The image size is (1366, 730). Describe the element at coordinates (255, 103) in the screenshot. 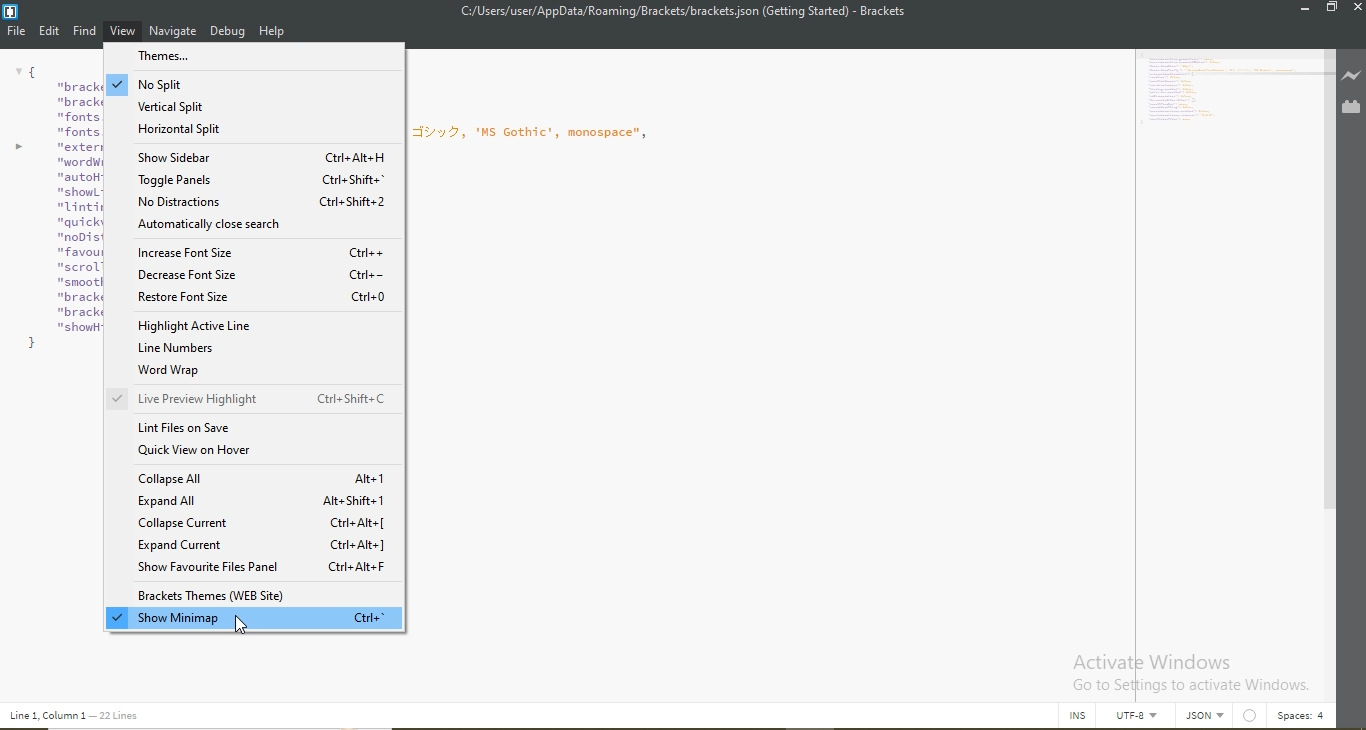

I see `vertical split` at that location.